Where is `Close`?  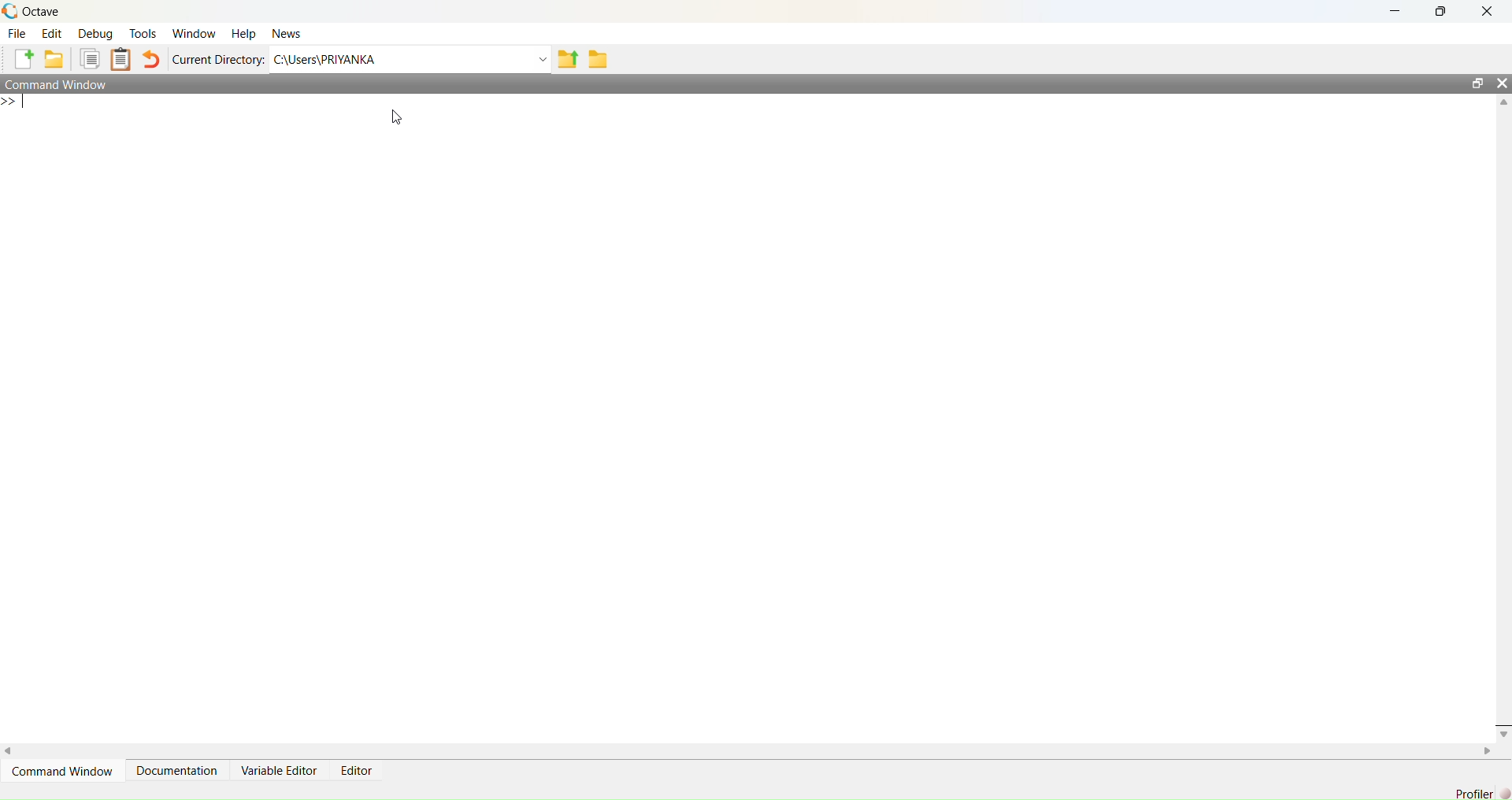 Close is located at coordinates (1503, 83).